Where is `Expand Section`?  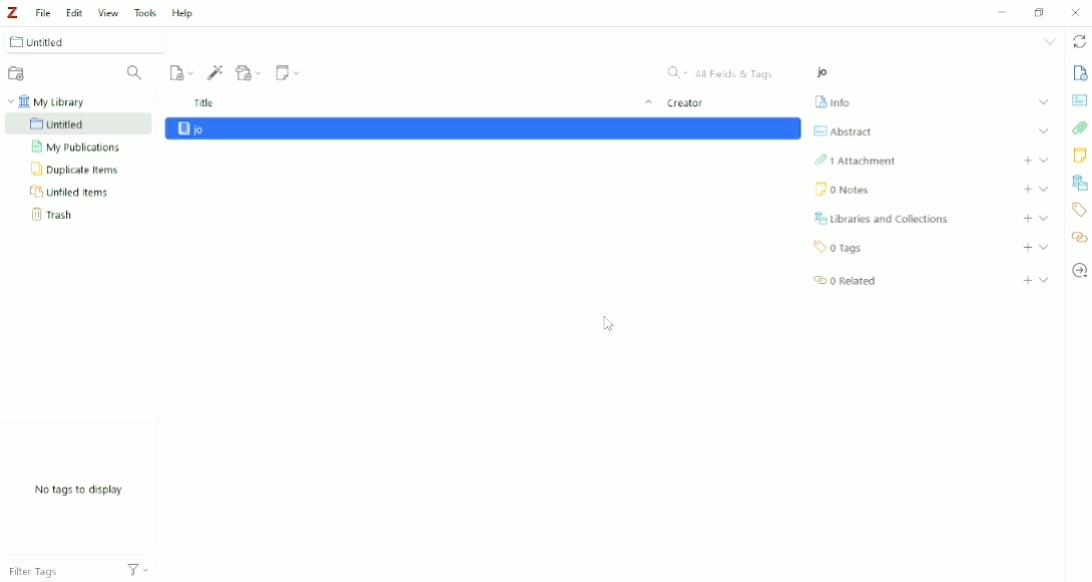
Expand Section is located at coordinates (1044, 247).